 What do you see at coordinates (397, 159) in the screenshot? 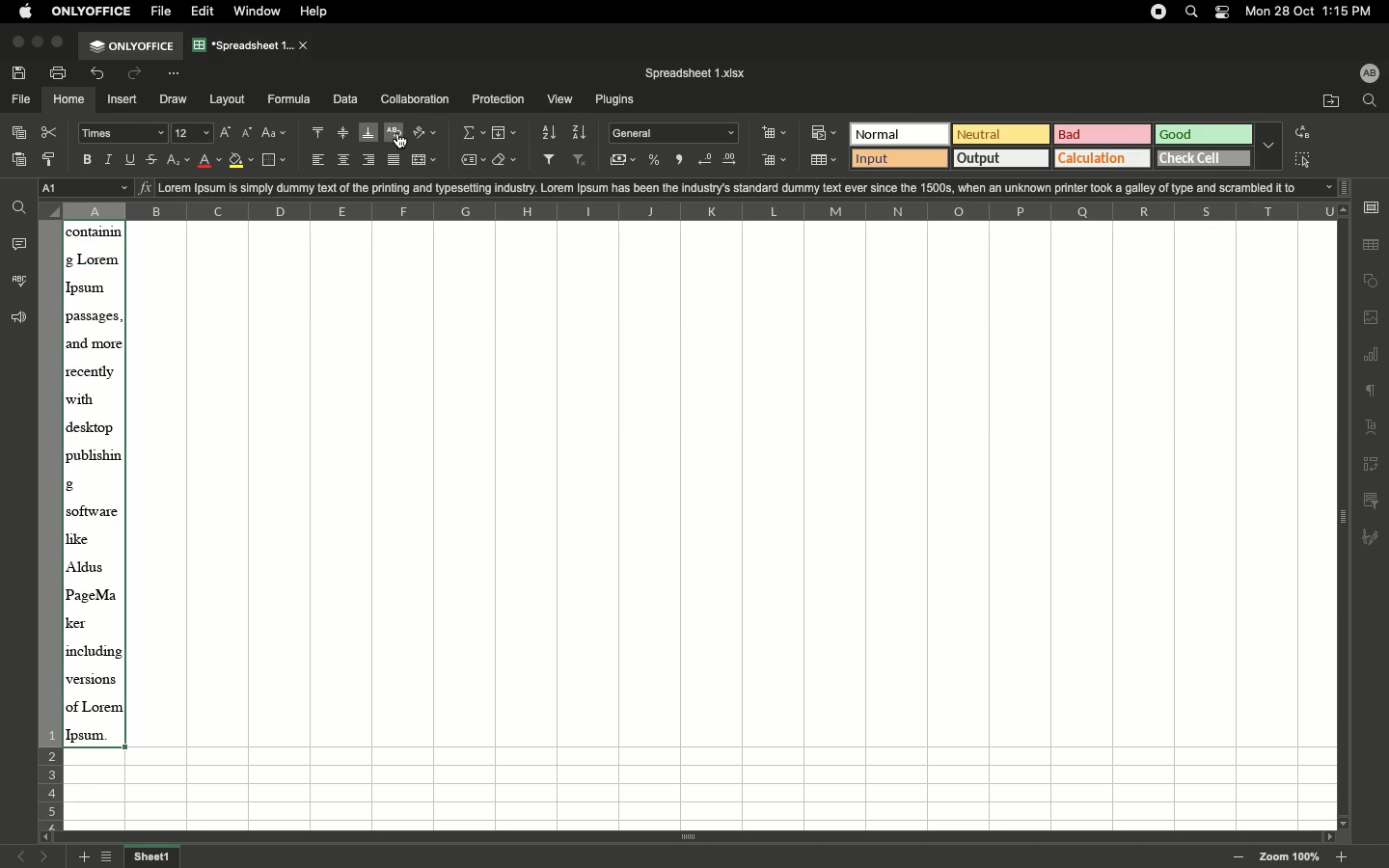
I see `Justified` at bounding box center [397, 159].